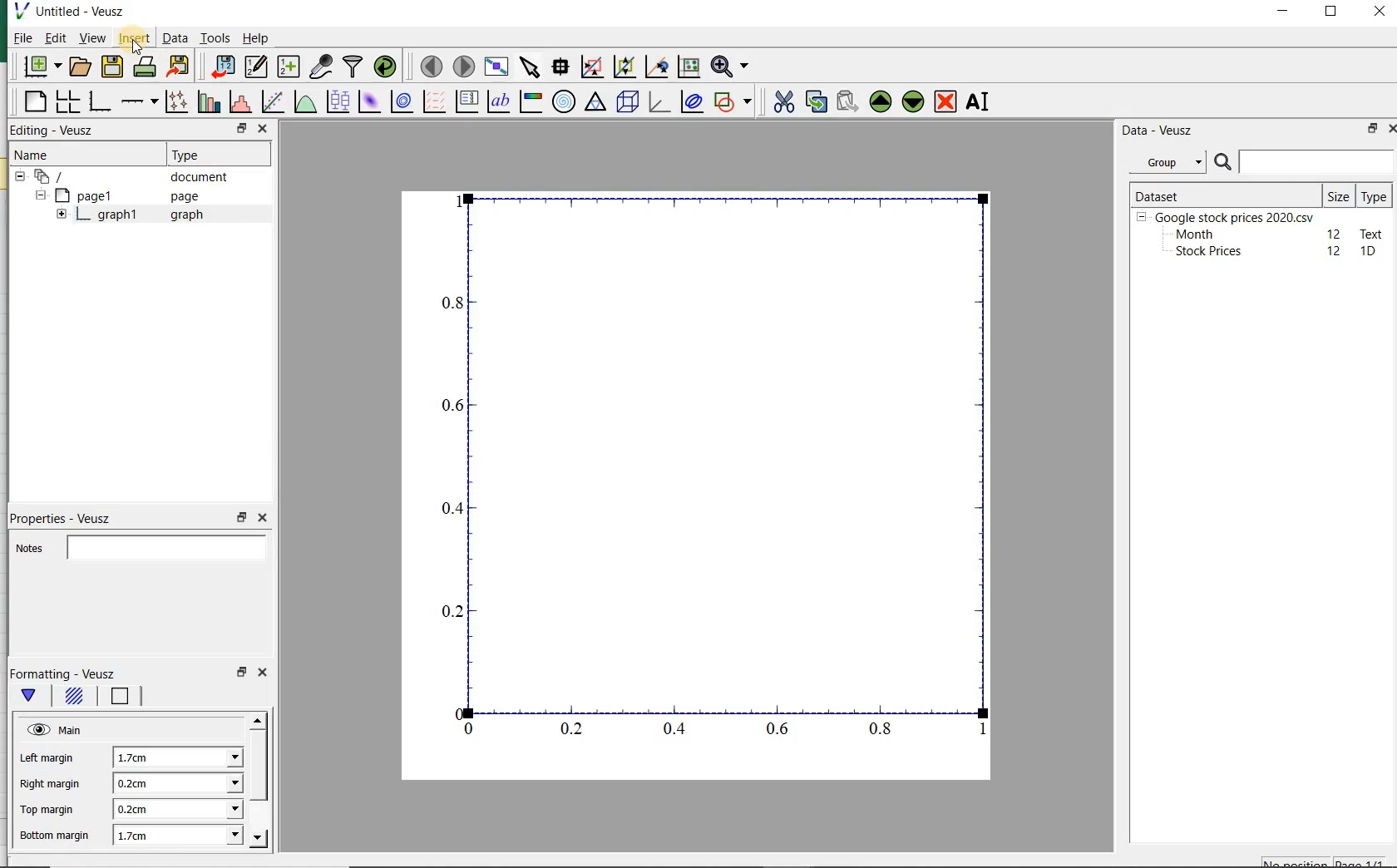  Describe the element at coordinates (1224, 193) in the screenshot. I see `DATASET` at that location.